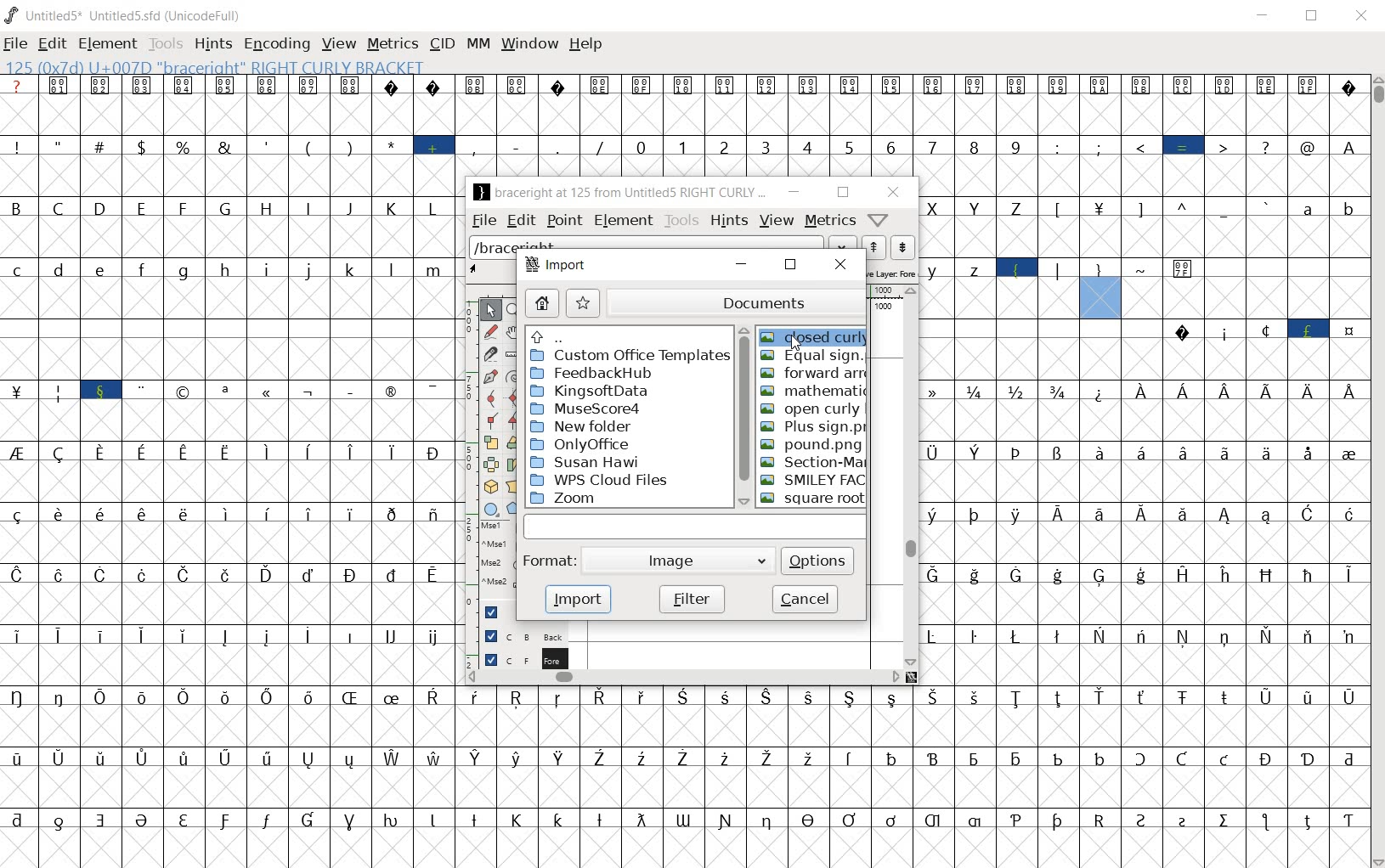 This screenshot has width=1385, height=868. Describe the element at coordinates (483, 223) in the screenshot. I see `file` at that location.